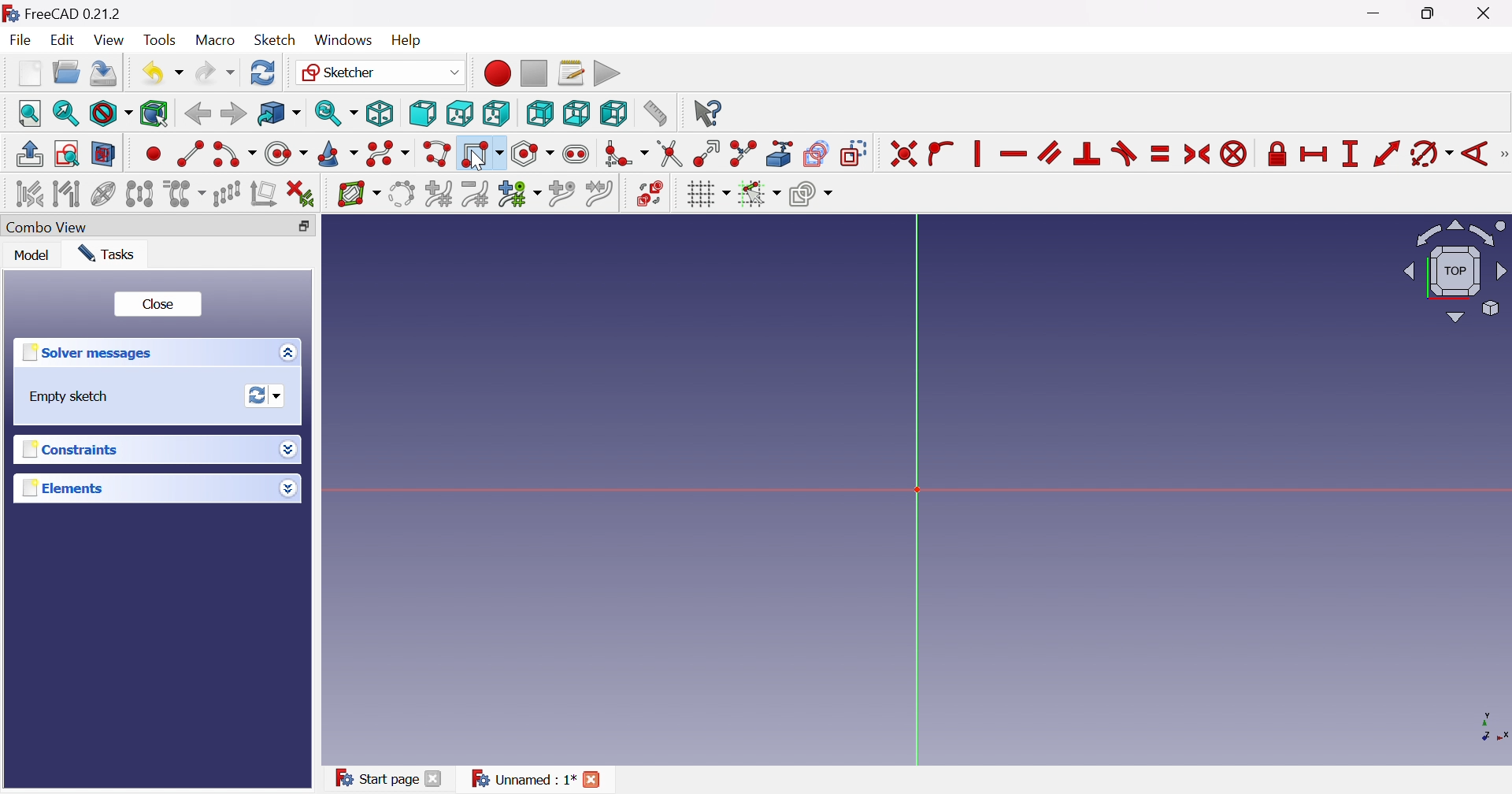 The height and width of the screenshot is (794, 1512). I want to click on Constrain perpendicular, so click(1088, 154).